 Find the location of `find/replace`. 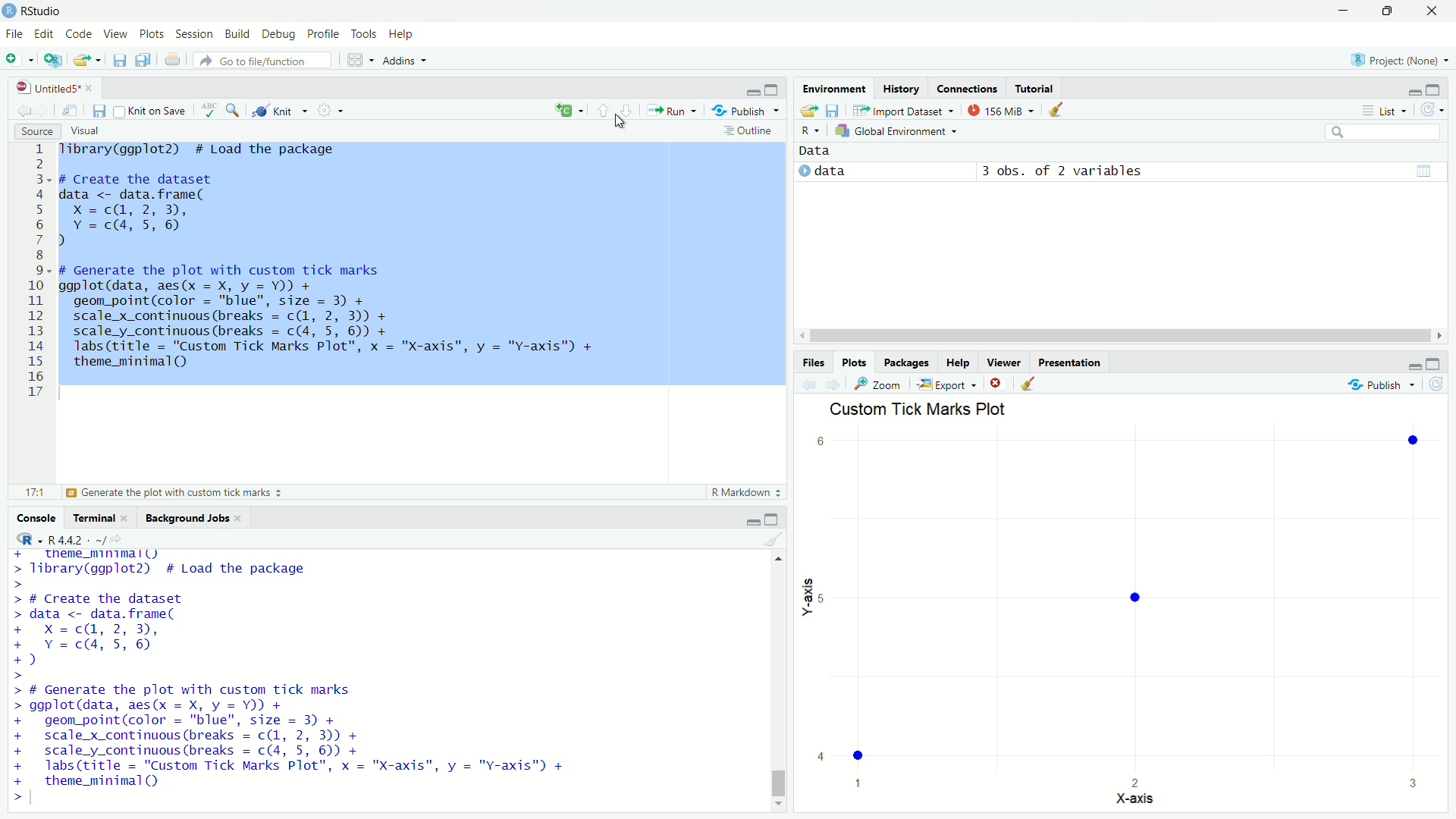

find/replace is located at coordinates (235, 111).